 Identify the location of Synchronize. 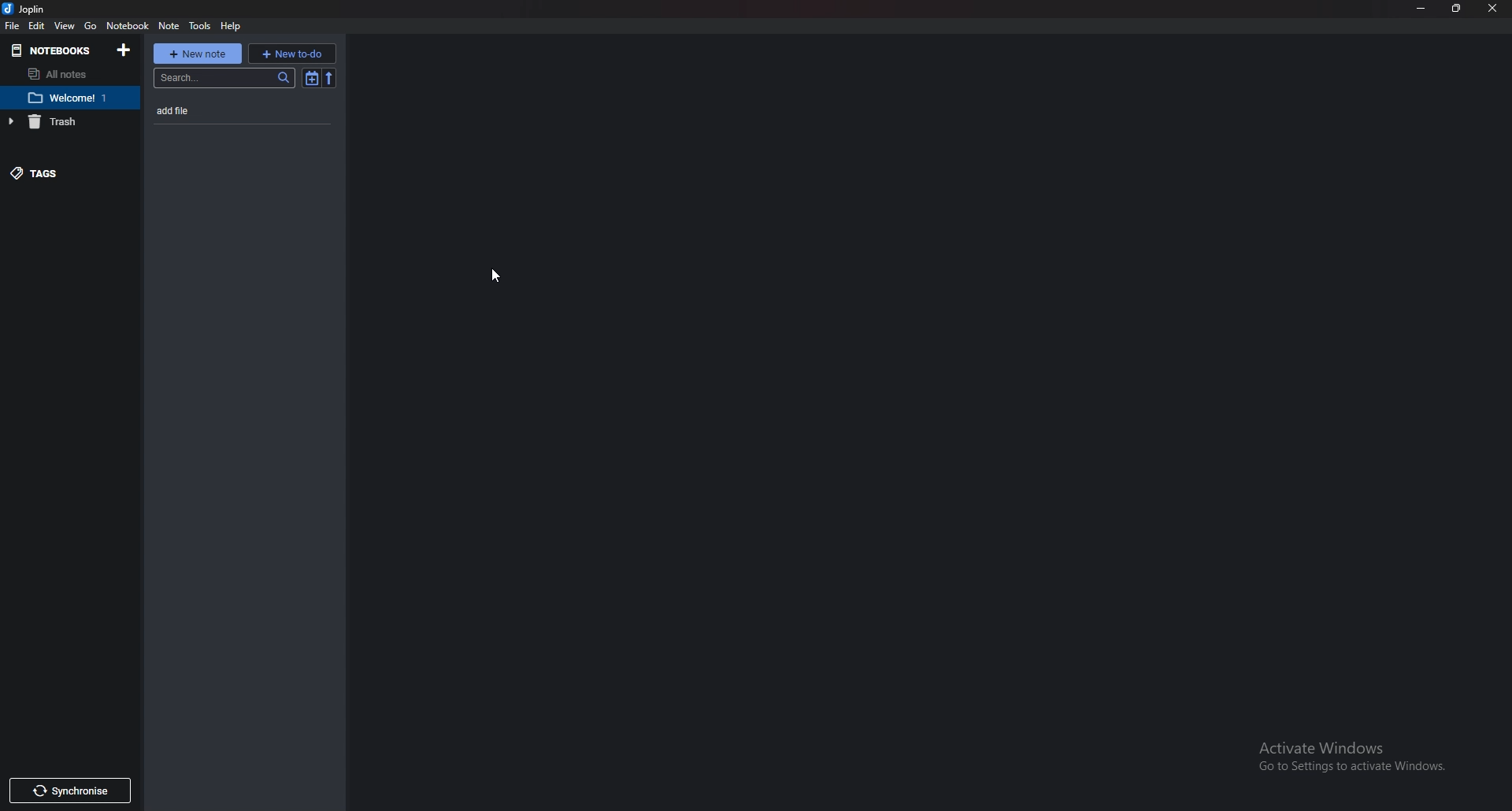
(71, 791).